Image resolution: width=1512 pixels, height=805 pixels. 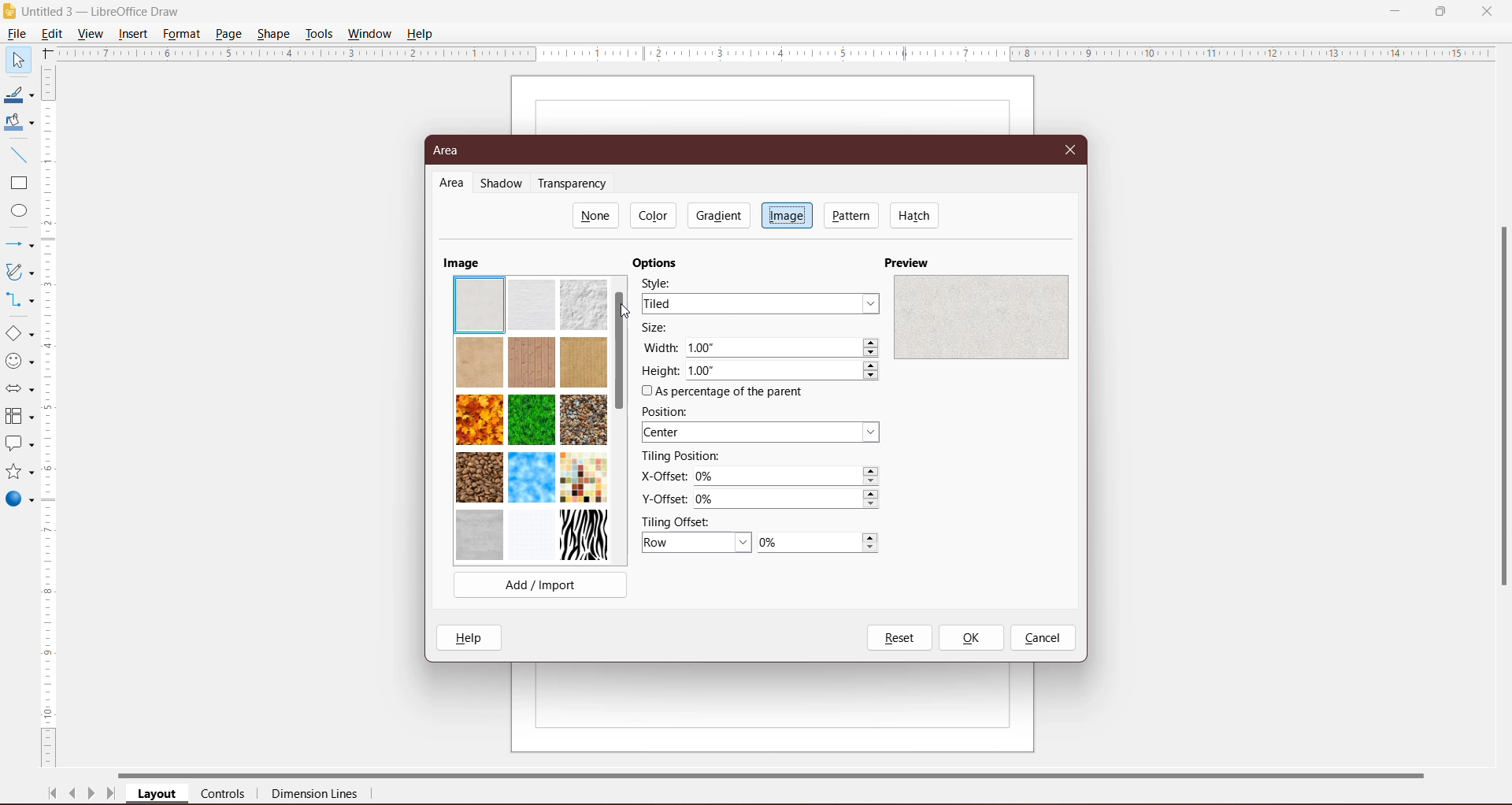 What do you see at coordinates (451, 150) in the screenshot?
I see `Area` at bounding box center [451, 150].